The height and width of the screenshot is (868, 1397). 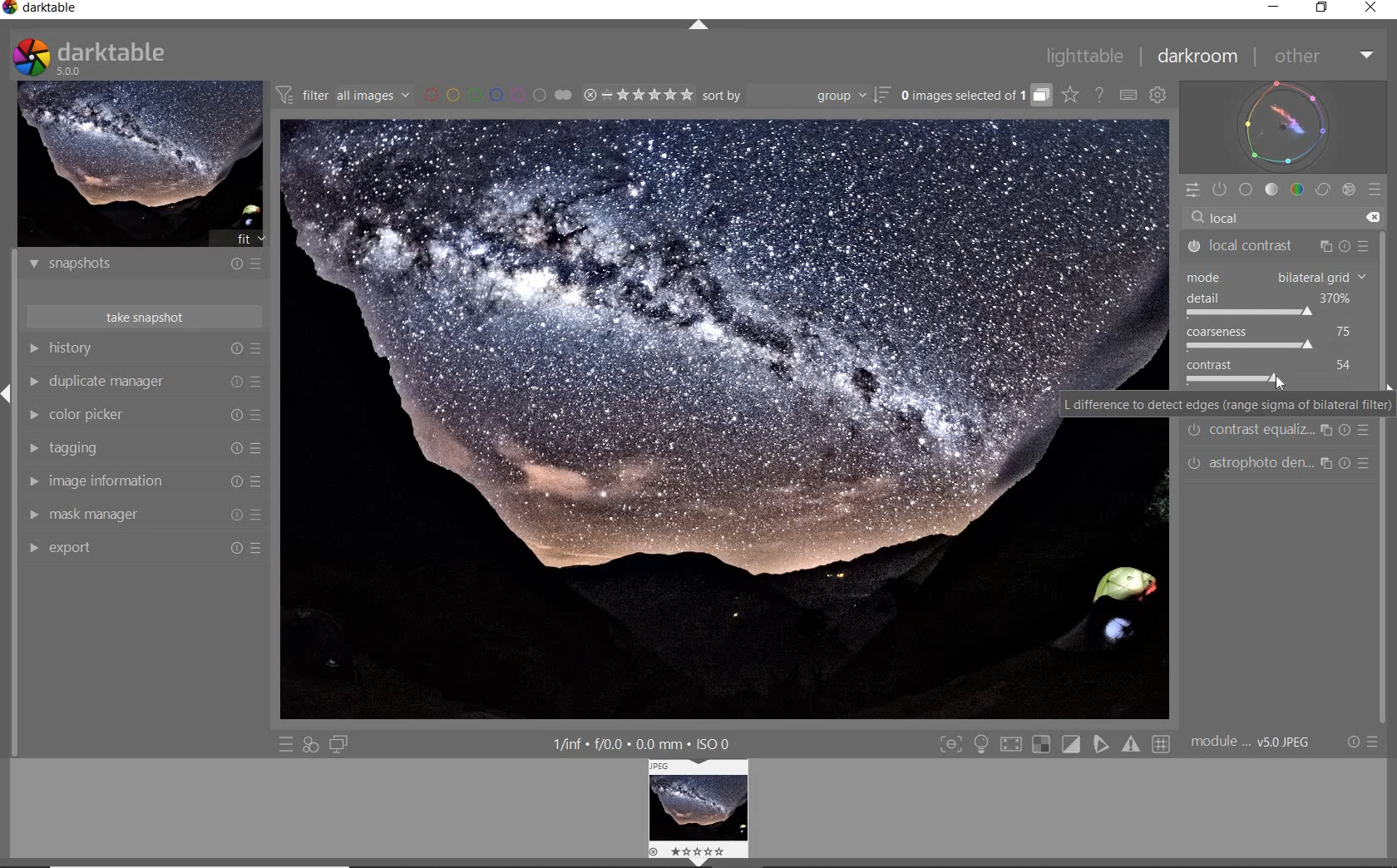 What do you see at coordinates (798, 96) in the screenshot?
I see `SORT` at bounding box center [798, 96].